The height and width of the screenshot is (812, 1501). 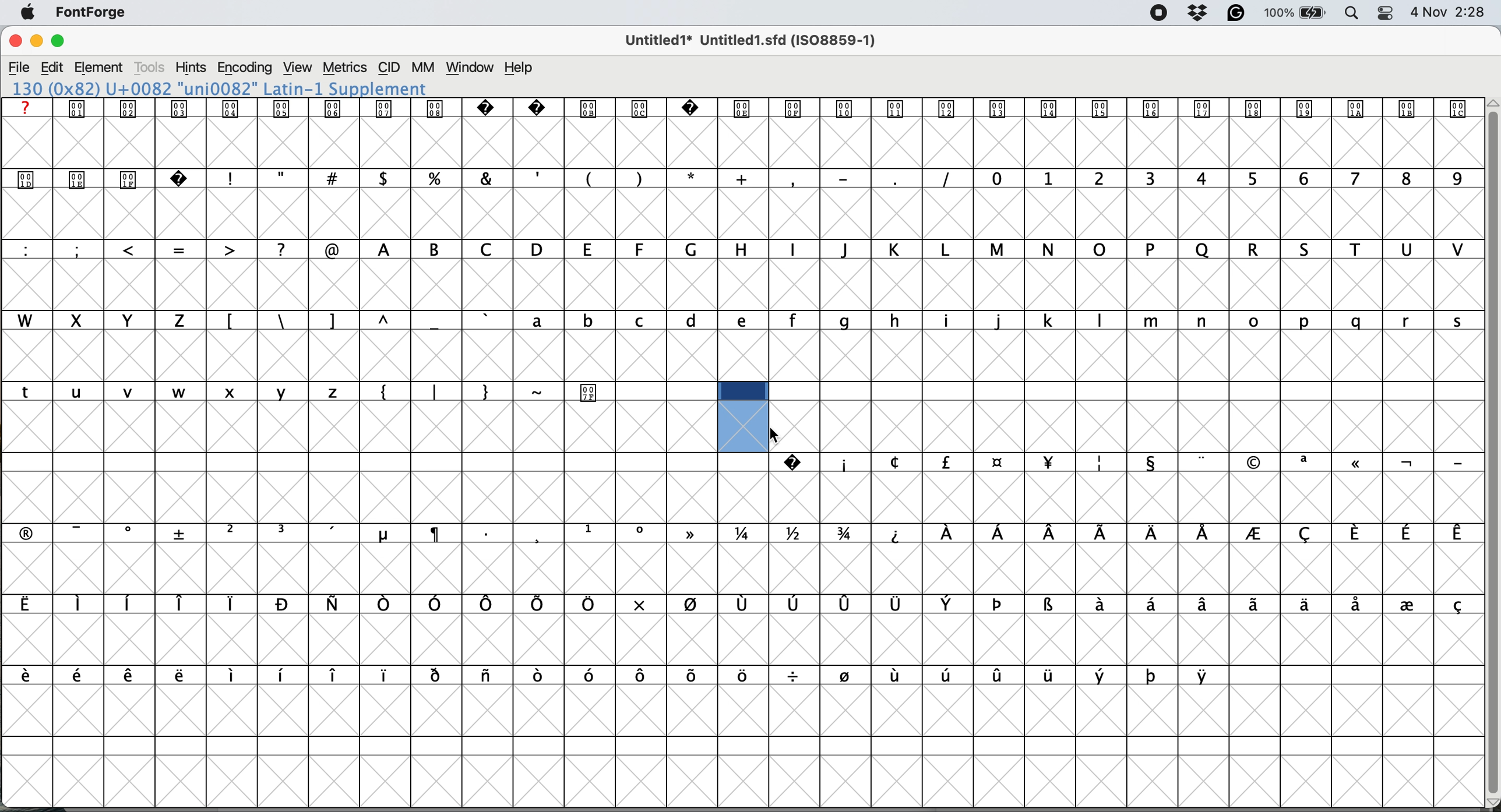 I want to click on cursor, so click(x=776, y=435).